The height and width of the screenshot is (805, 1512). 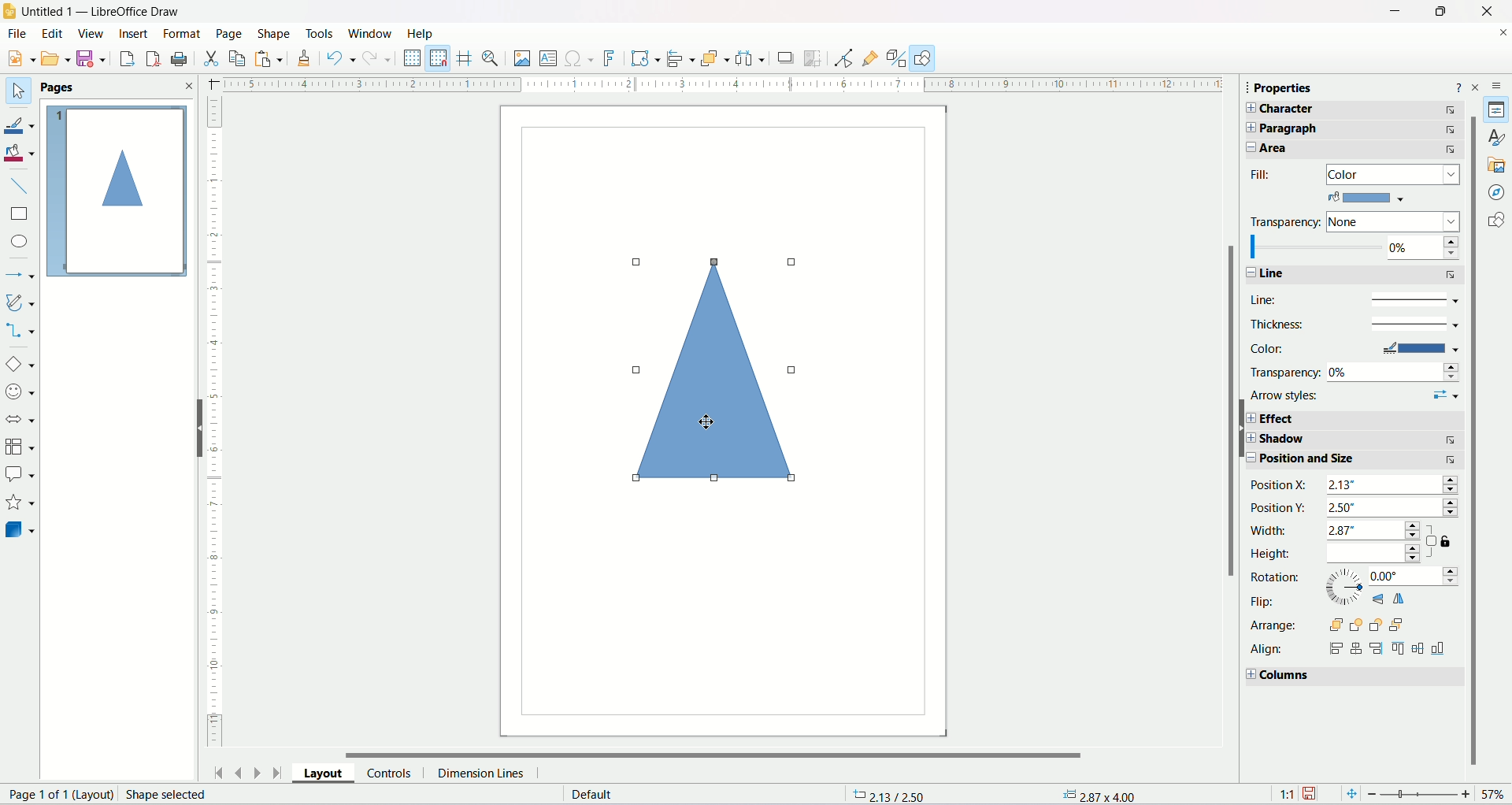 What do you see at coordinates (237, 58) in the screenshot?
I see `Copy` at bounding box center [237, 58].